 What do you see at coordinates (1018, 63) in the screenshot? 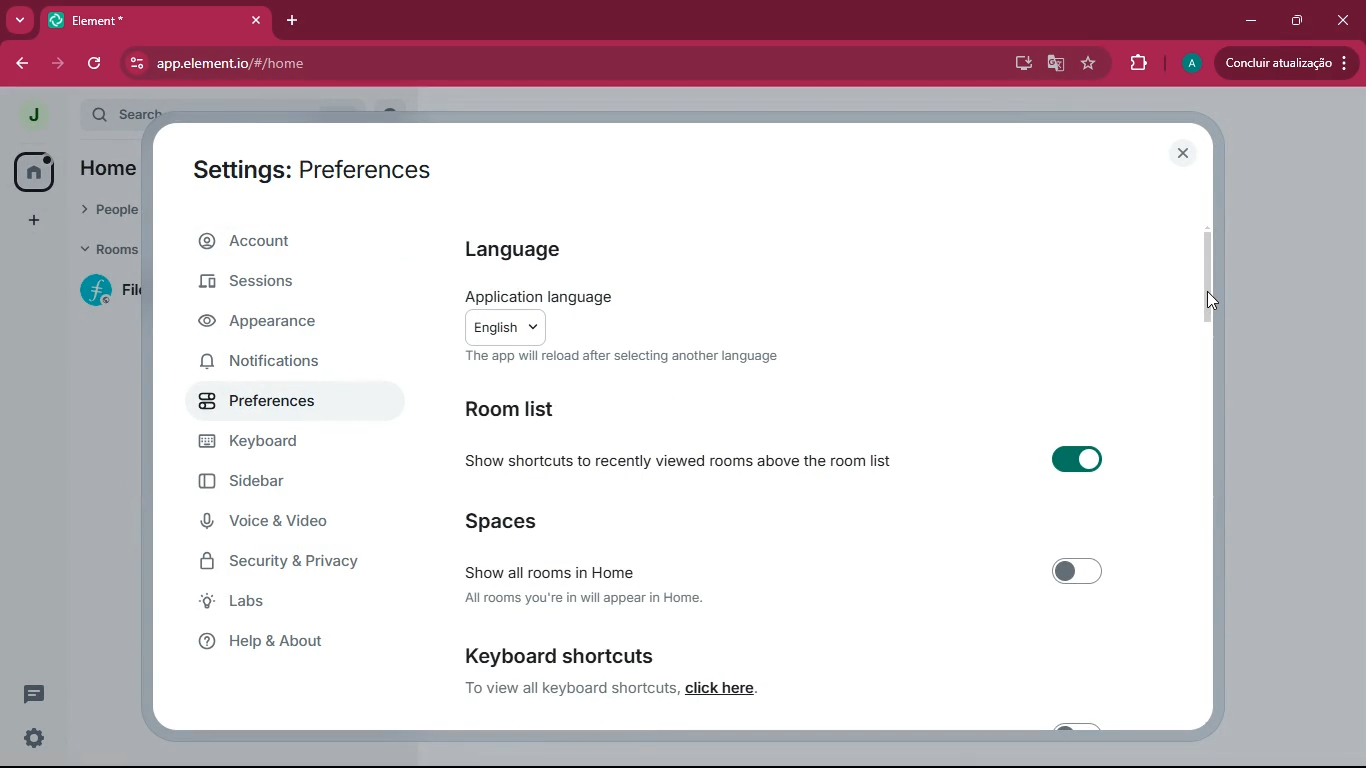
I see `desktop` at bounding box center [1018, 63].